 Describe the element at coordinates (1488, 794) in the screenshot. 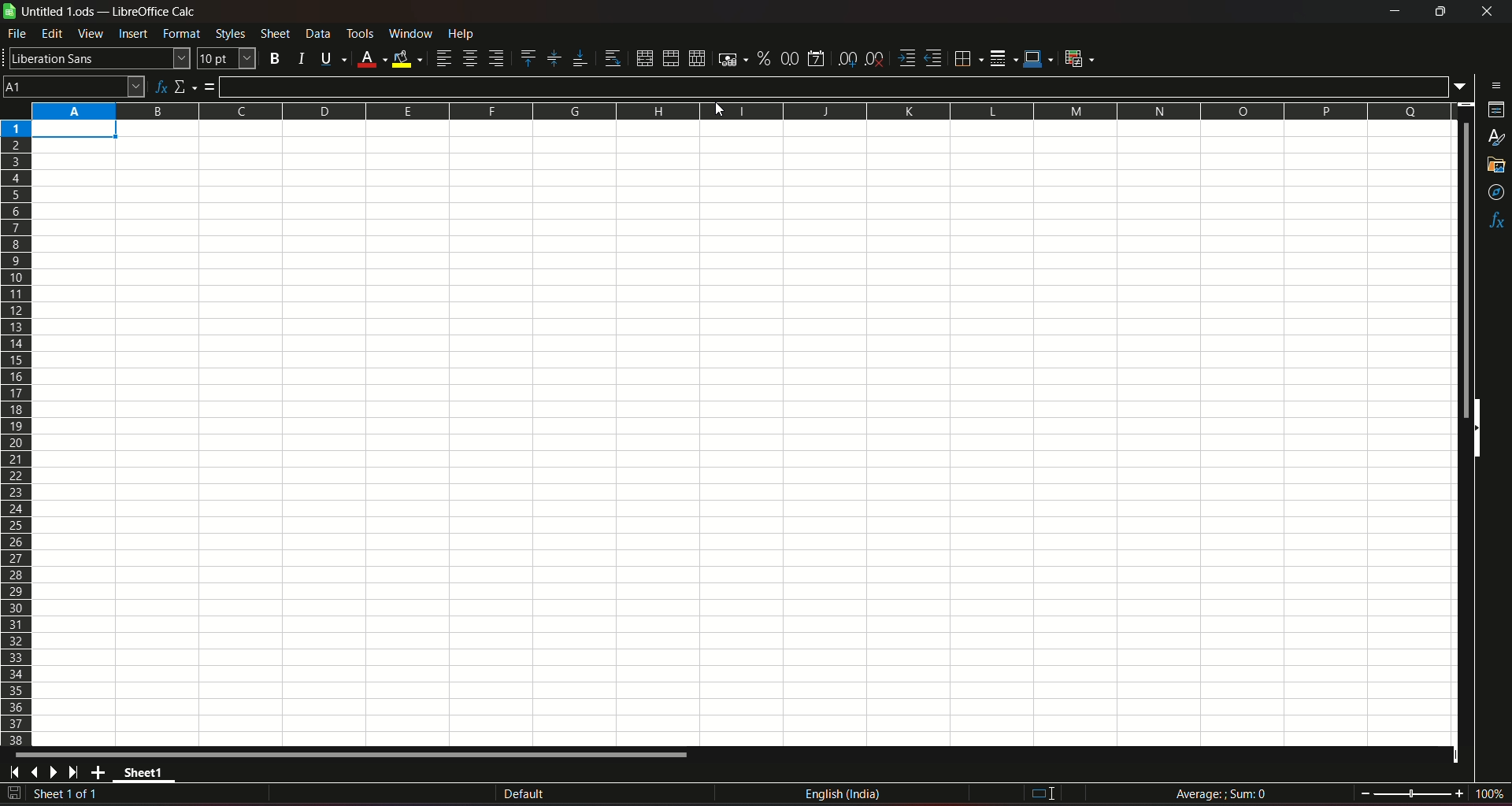

I see `zoom factor` at that location.